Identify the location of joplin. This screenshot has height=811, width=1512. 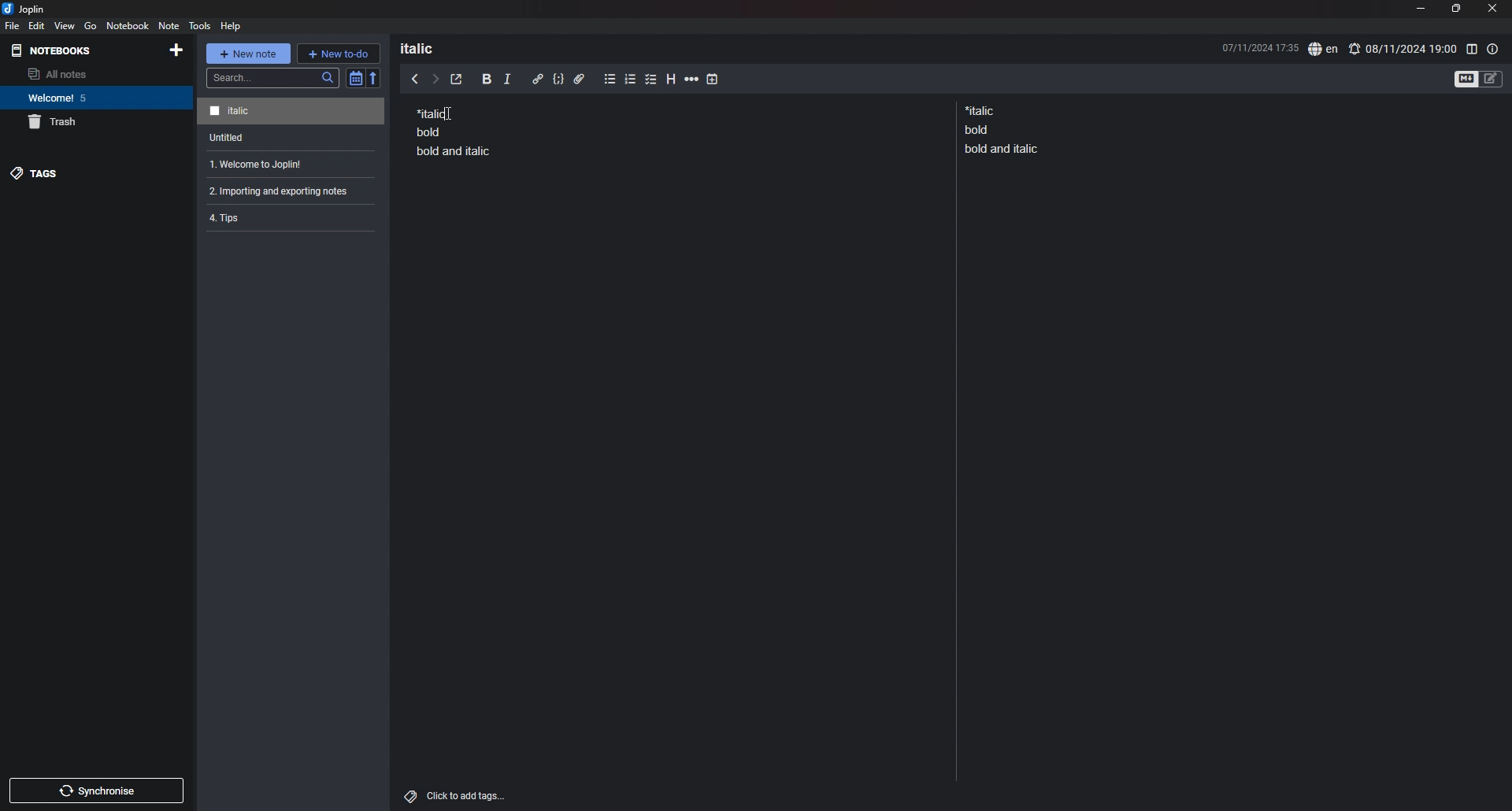
(24, 9).